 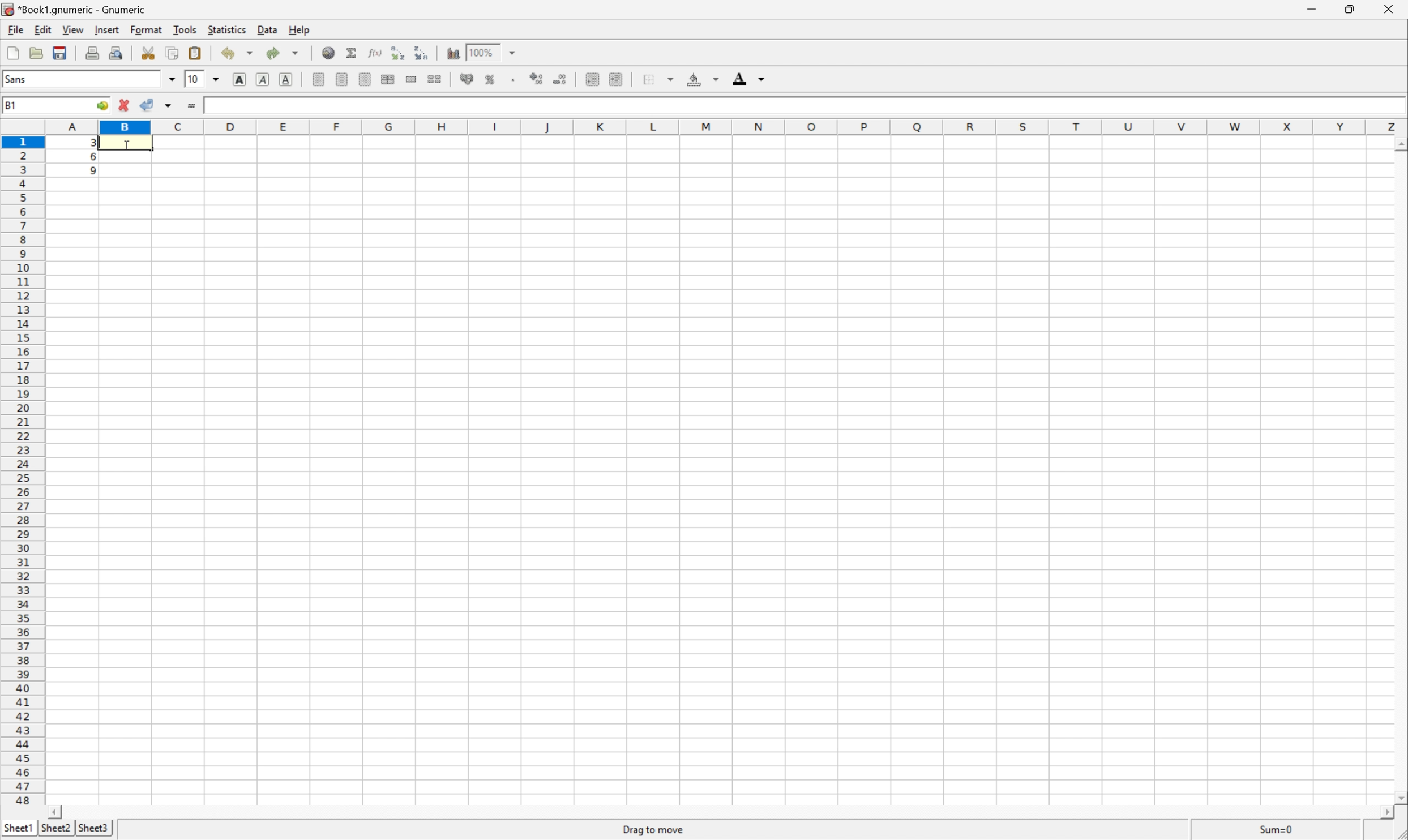 What do you see at coordinates (411, 79) in the screenshot?
I see `Merge a range of cells` at bounding box center [411, 79].